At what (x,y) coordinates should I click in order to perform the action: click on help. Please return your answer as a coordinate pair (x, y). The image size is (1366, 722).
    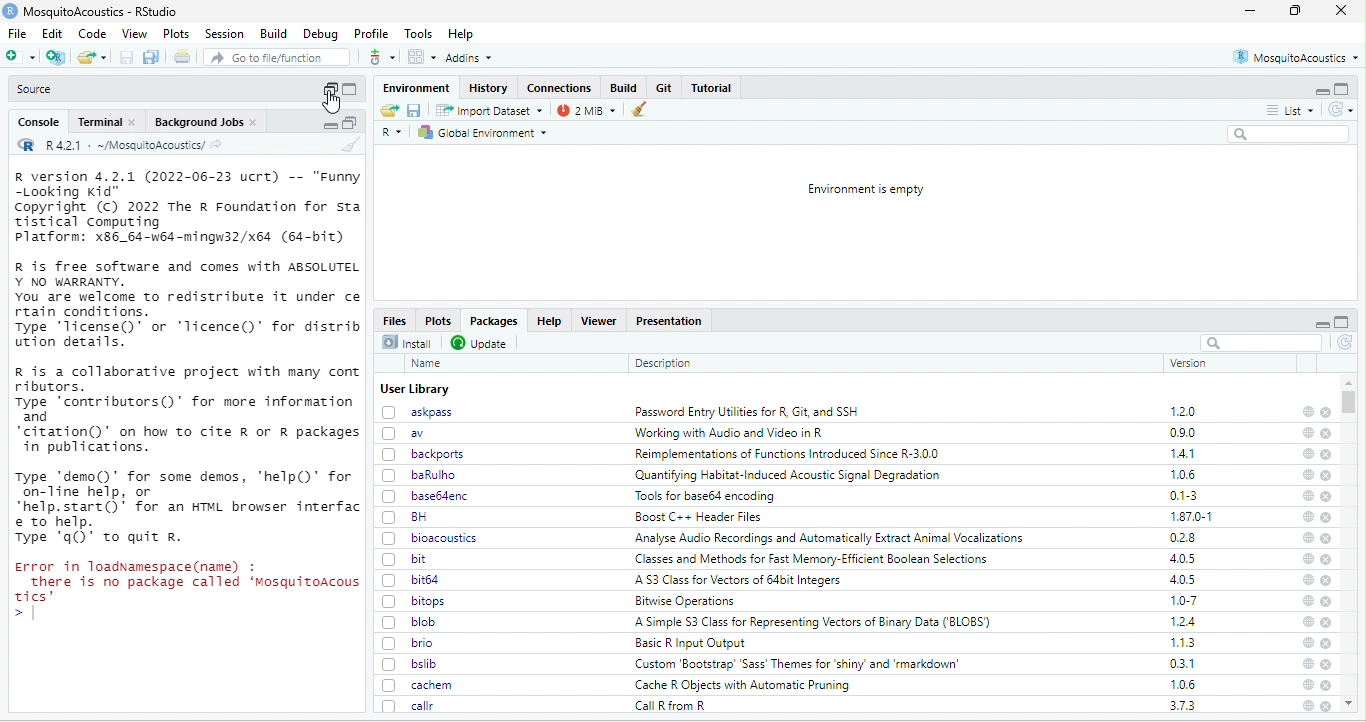
    Looking at the image, I should click on (1308, 580).